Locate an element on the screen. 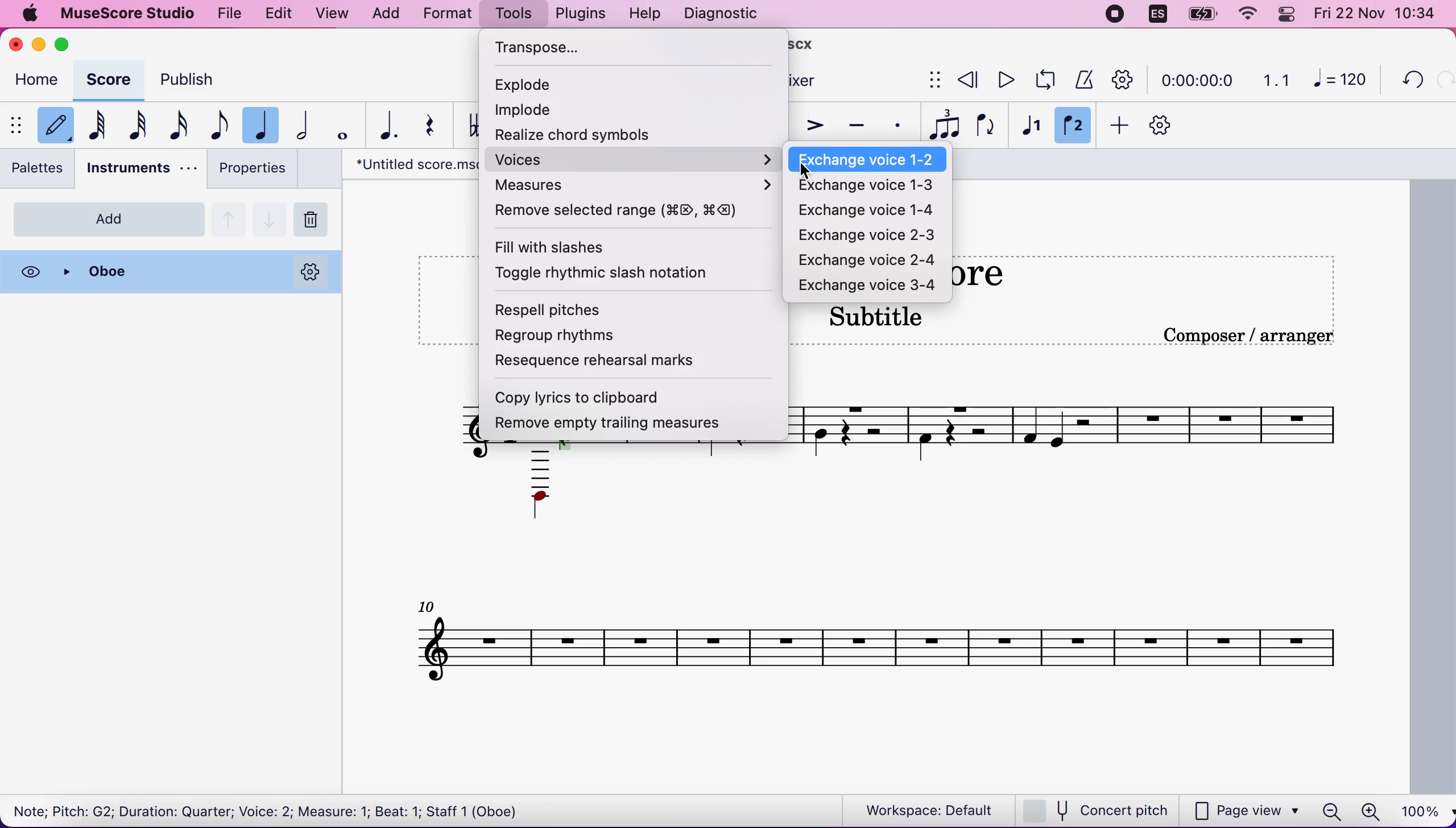 Image resolution: width=1456 pixels, height=828 pixels. 100% is located at coordinates (1421, 810).